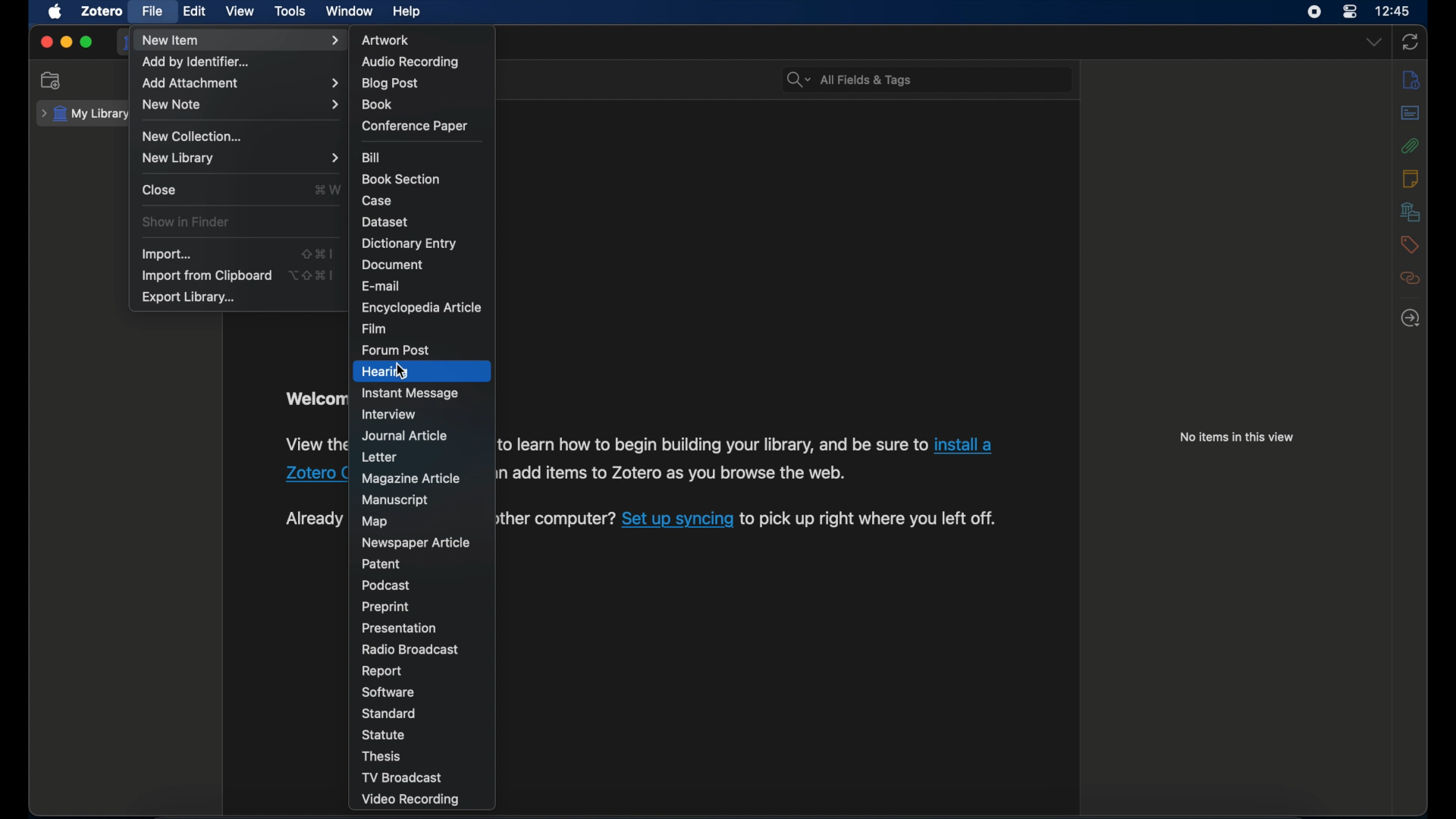 The height and width of the screenshot is (819, 1456). I want to click on zotero, so click(102, 11).